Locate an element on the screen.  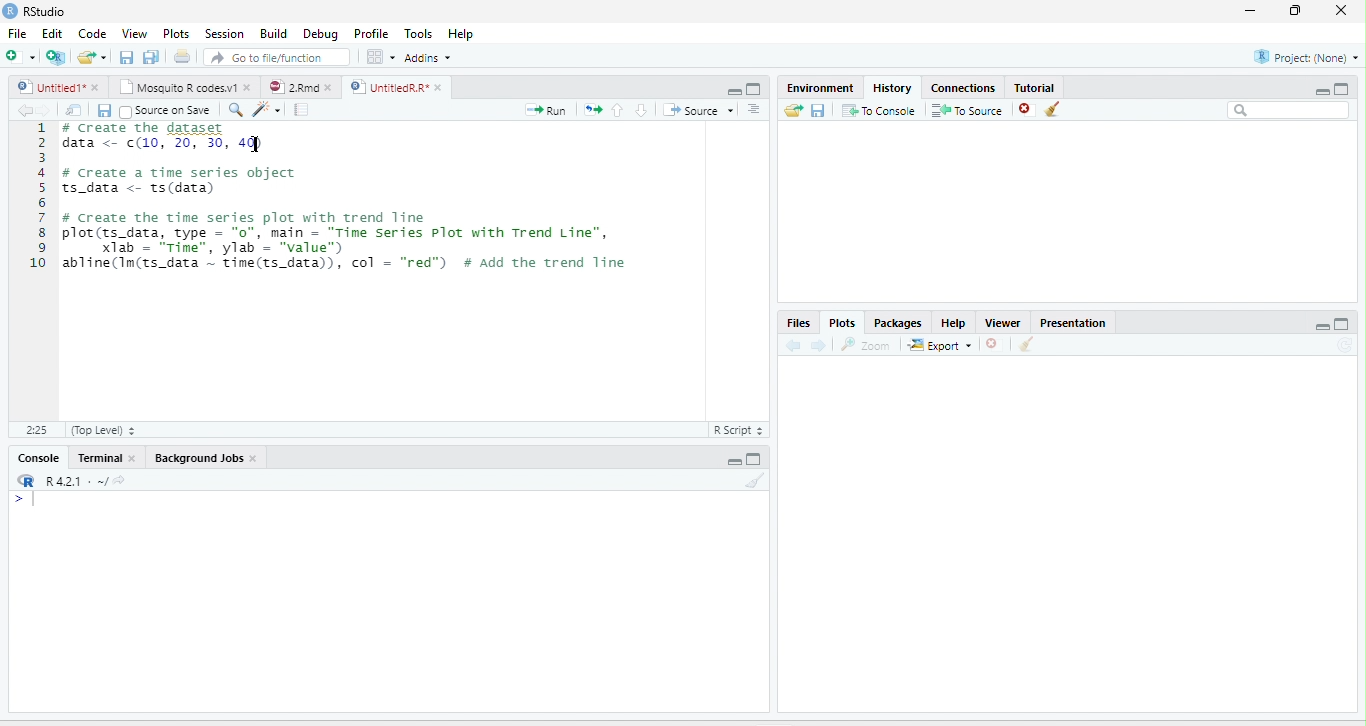
Go to next section/chunk is located at coordinates (641, 110).